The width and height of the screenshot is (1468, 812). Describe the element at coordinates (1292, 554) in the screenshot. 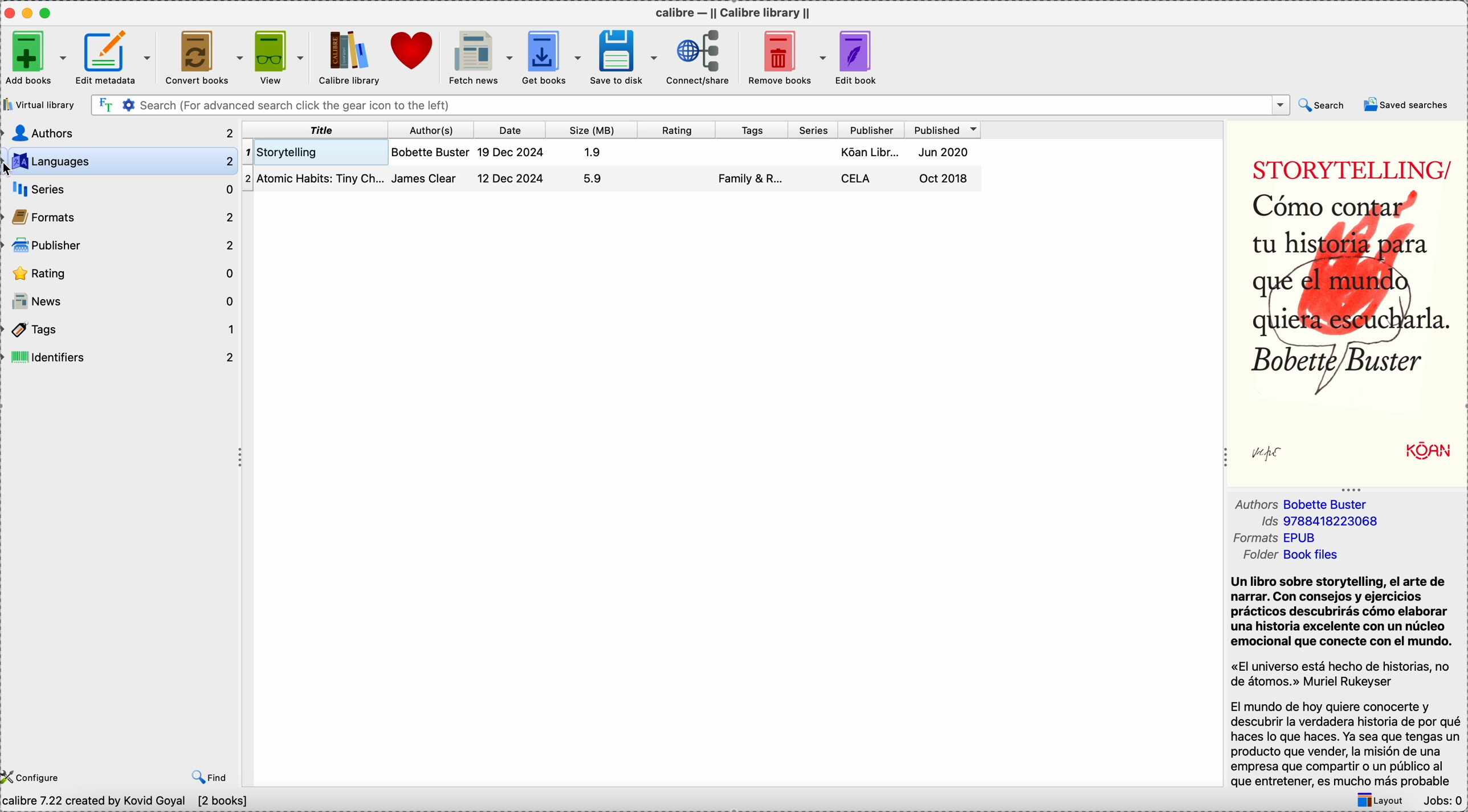

I see `folder book files` at that location.